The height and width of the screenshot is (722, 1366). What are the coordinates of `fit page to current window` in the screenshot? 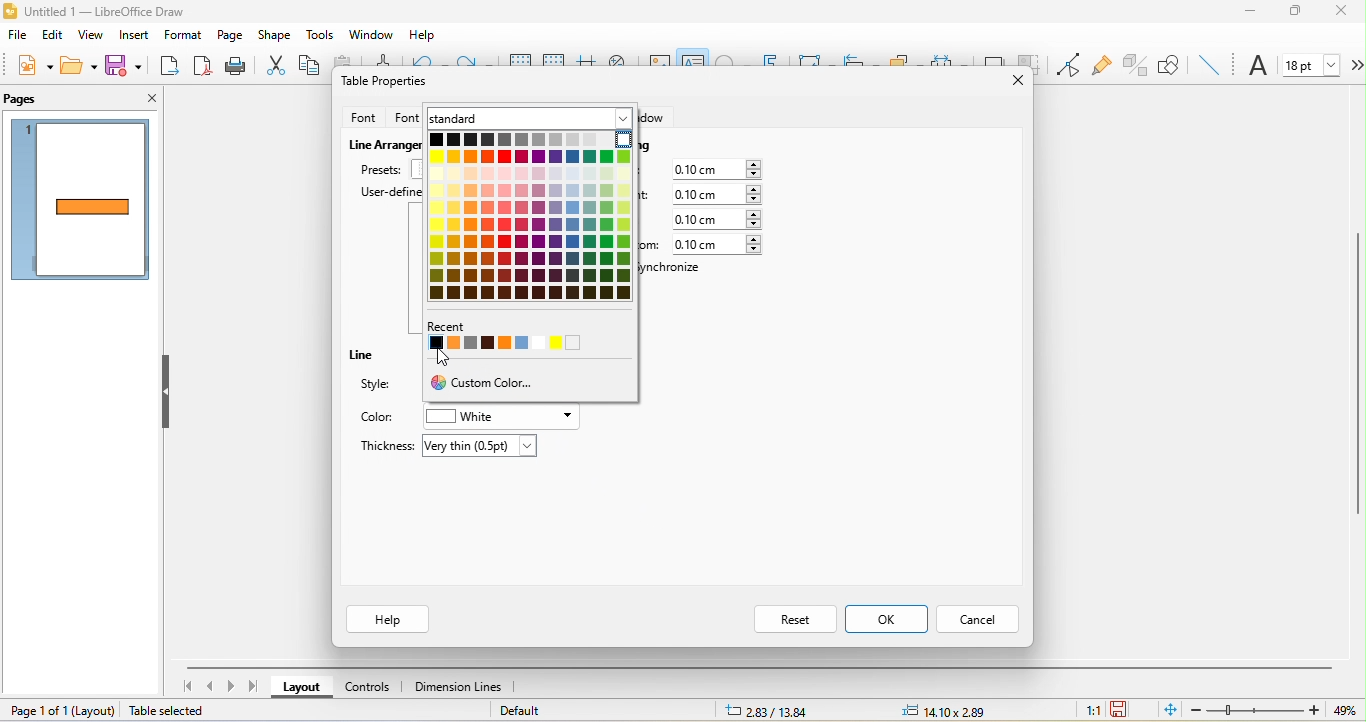 It's located at (1168, 710).